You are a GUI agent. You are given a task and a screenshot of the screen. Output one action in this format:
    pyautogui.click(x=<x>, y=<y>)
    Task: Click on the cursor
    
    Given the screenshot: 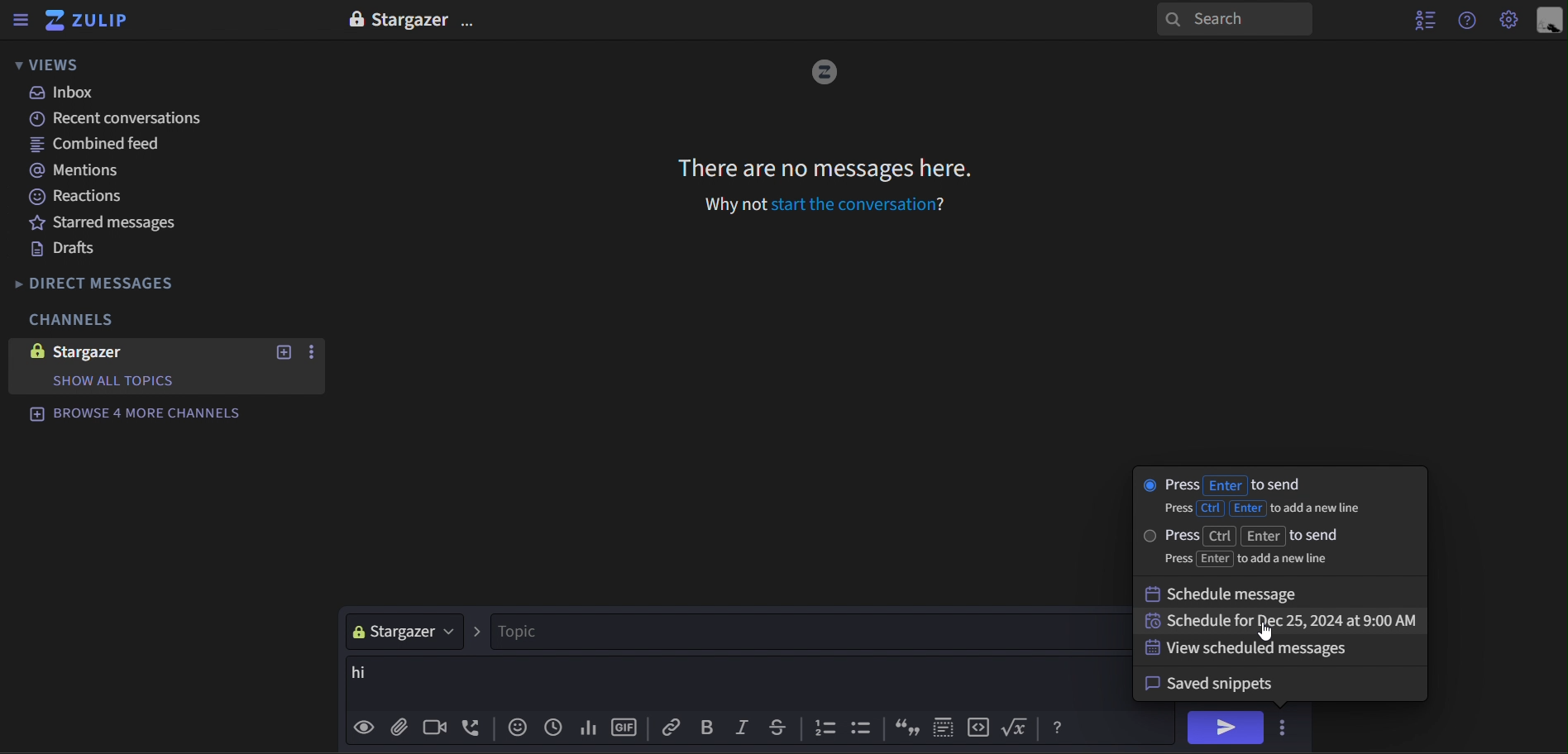 What is the action you would take?
    pyautogui.click(x=1272, y=632)
    